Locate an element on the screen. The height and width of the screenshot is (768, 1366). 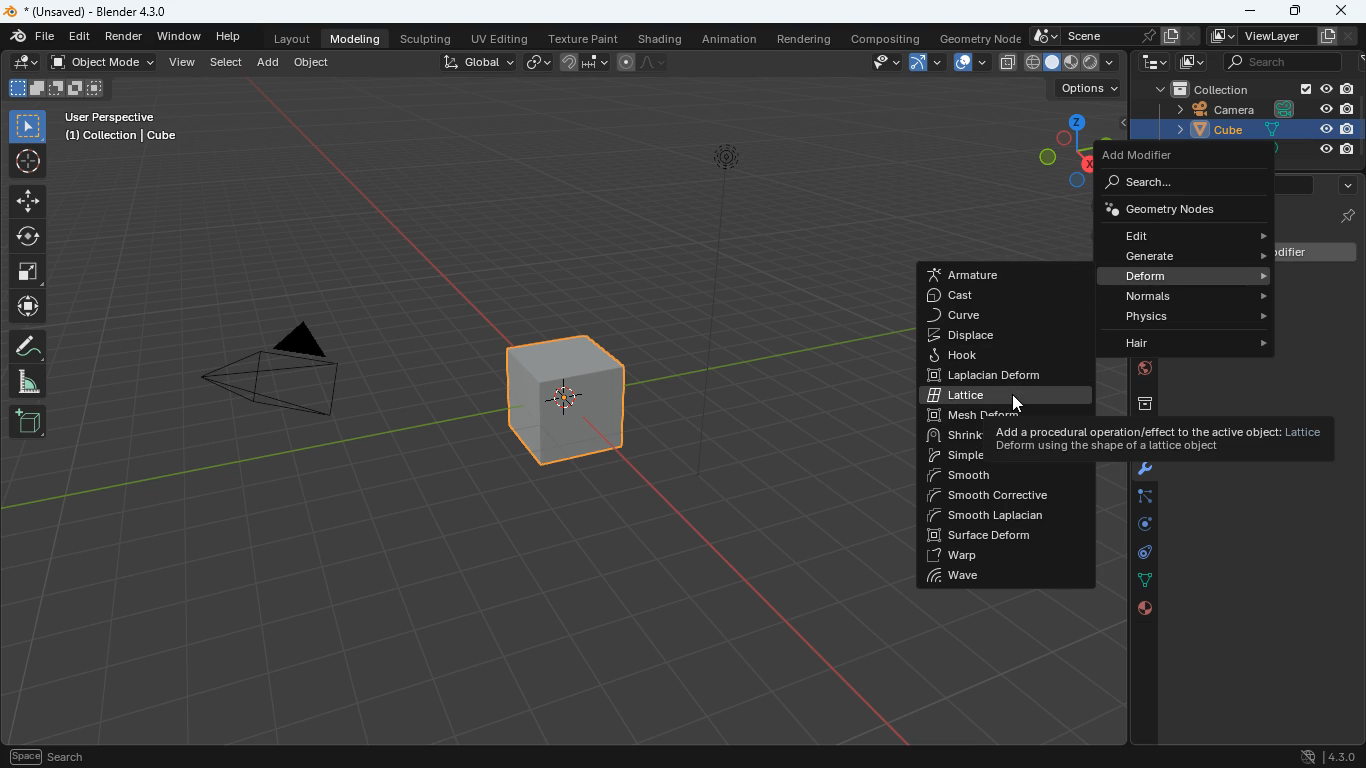
geometry nods is located at coordinates (1182, 210).